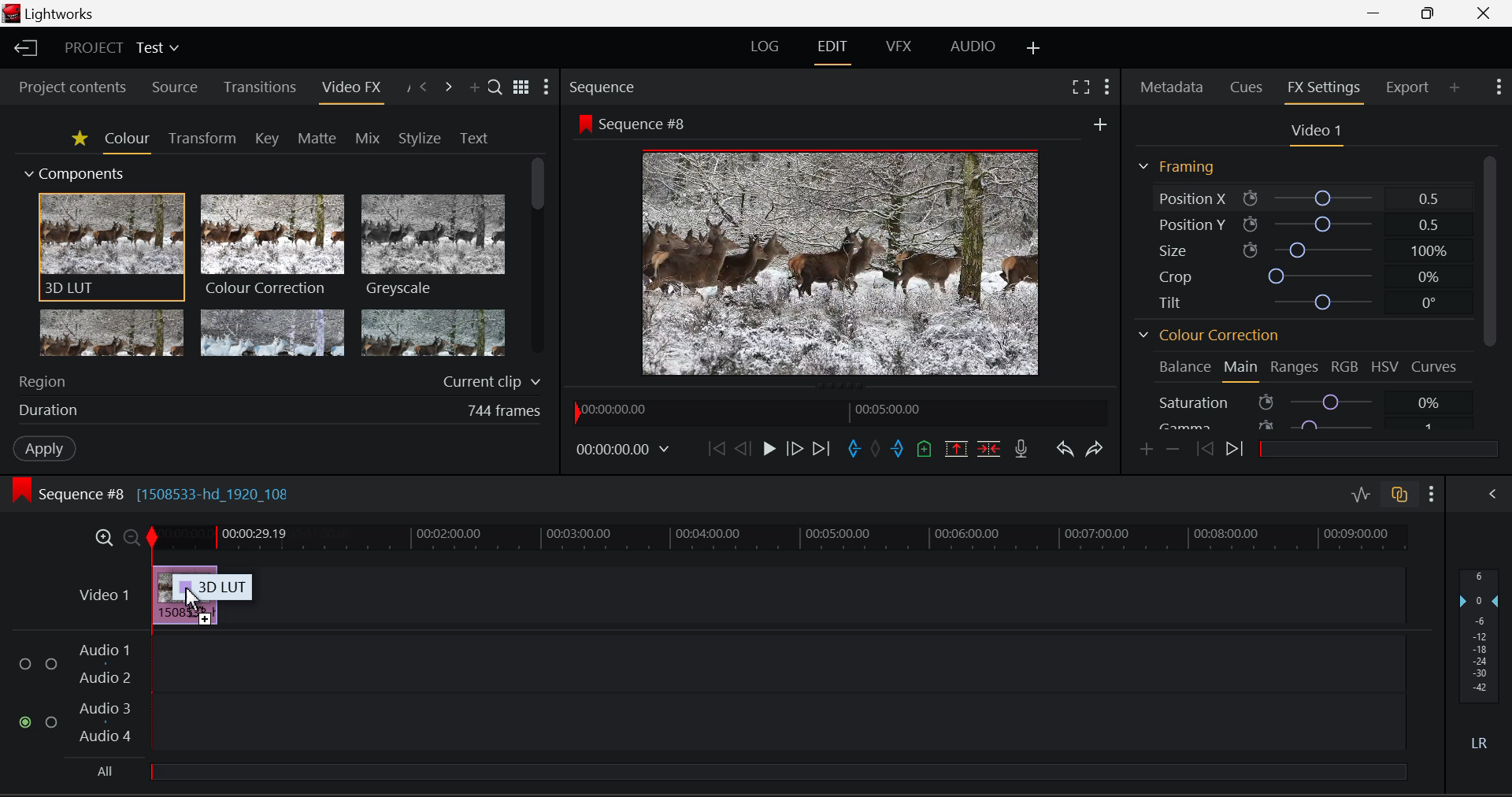 The height and width of the screenshot is (797, 1512). What do you see at coordinates (780, 539) in the screenshot?
I see `Project Timeline` at bounding box center [780, 539].